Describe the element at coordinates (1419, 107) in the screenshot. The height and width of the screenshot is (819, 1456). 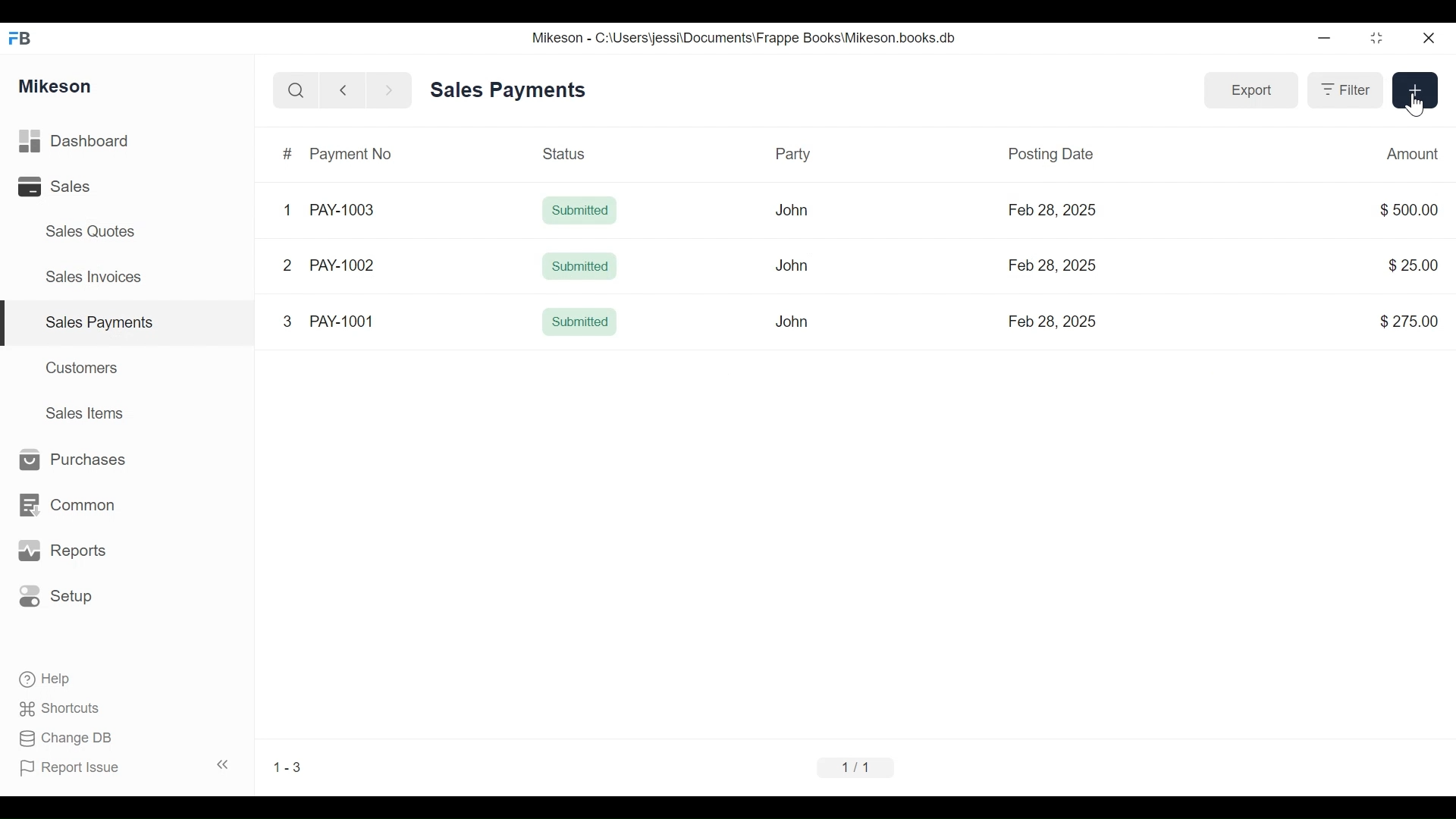
I see `cursor` at that location.